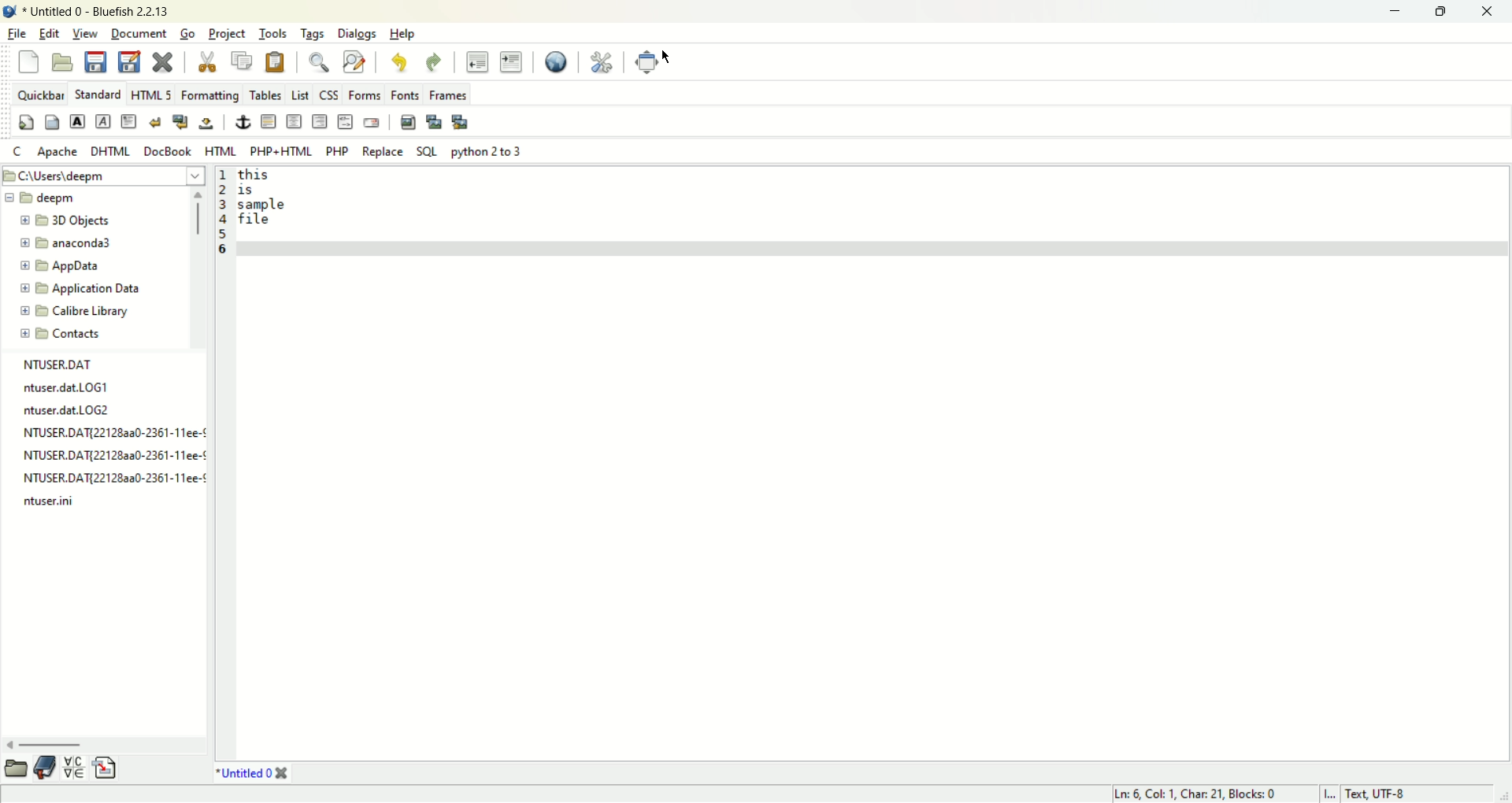  What do you see at coordinates (44, 768) in the screenshot?
I see `bookmark` at bounding box center [44, 768].